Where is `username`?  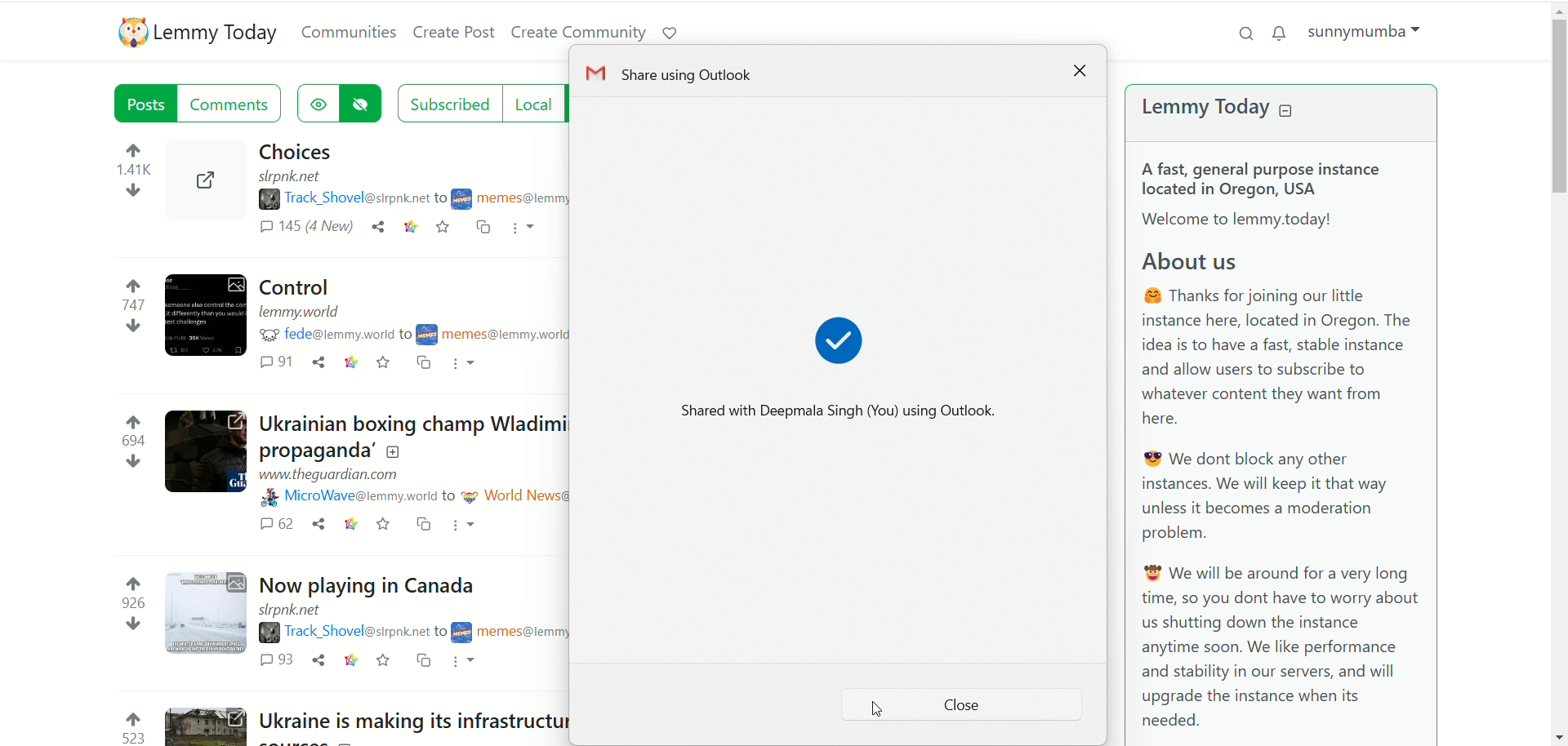 username is located at coordinates (352, 497).